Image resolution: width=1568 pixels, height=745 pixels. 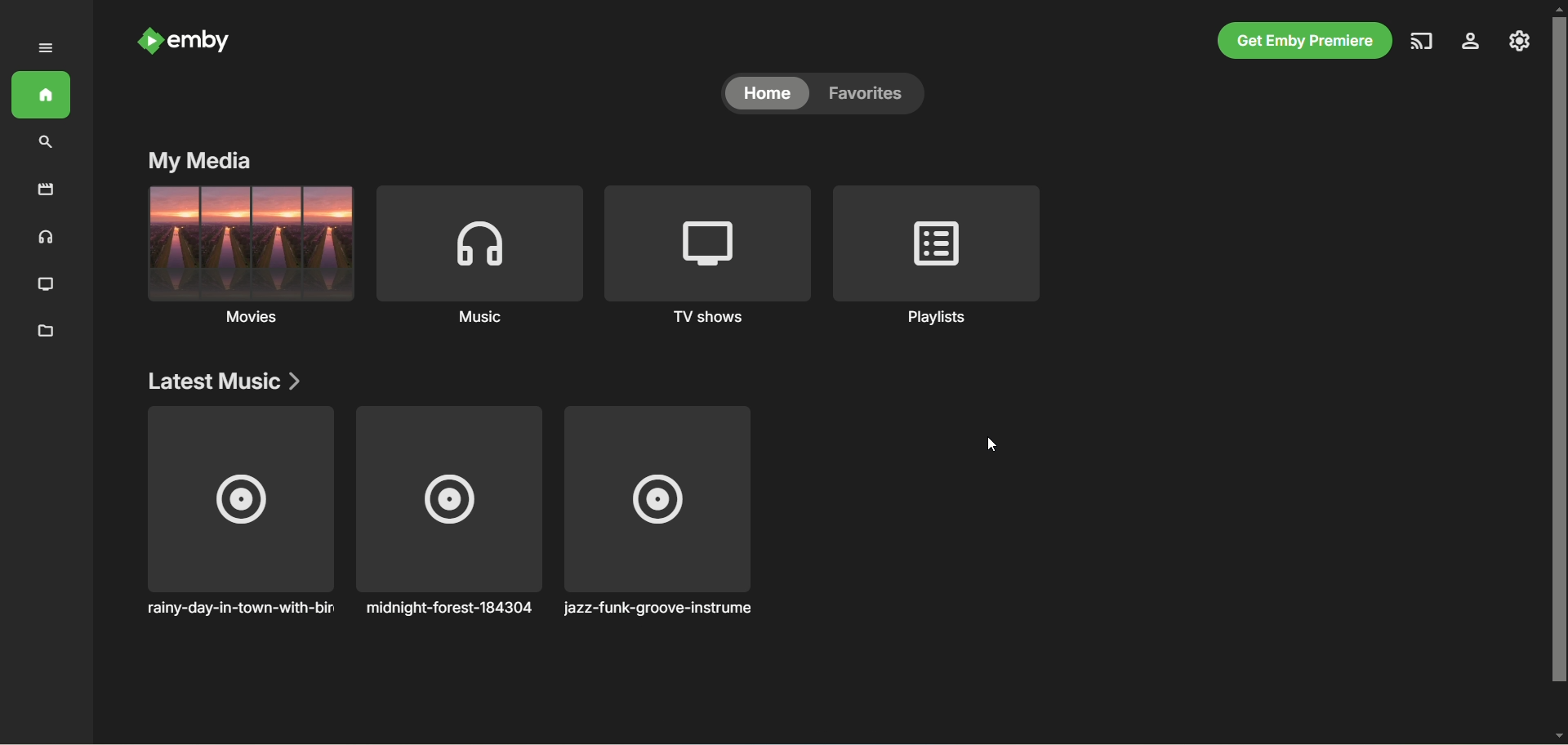 What do you see at coordinates (448, 511) in the screenshot?
I see `Music album` at bounding box center [448, 511].